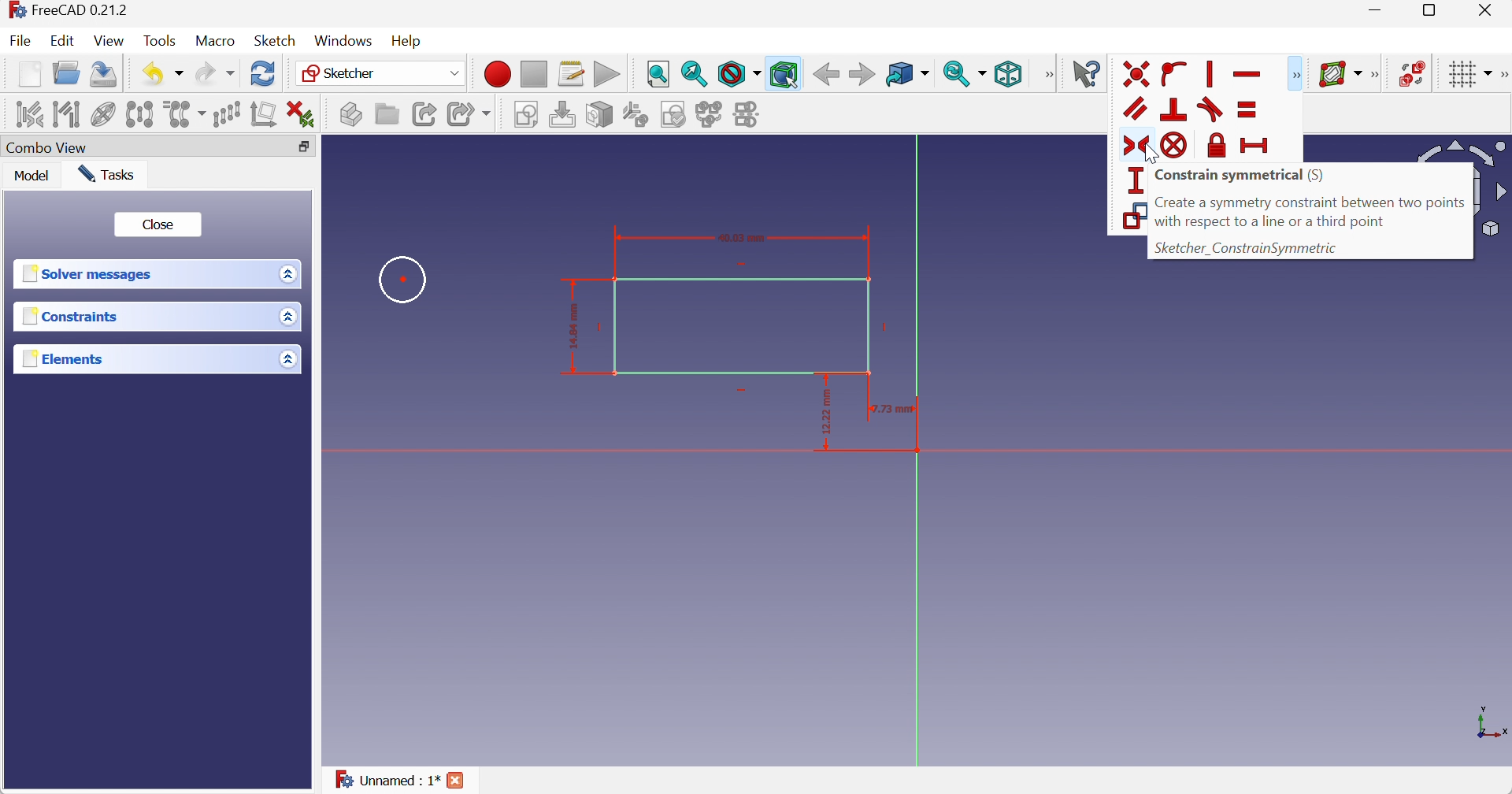 This screenshot has height=794, width=1512. I want to click on Toggle driving/reference constraint, so click(1132, 216).